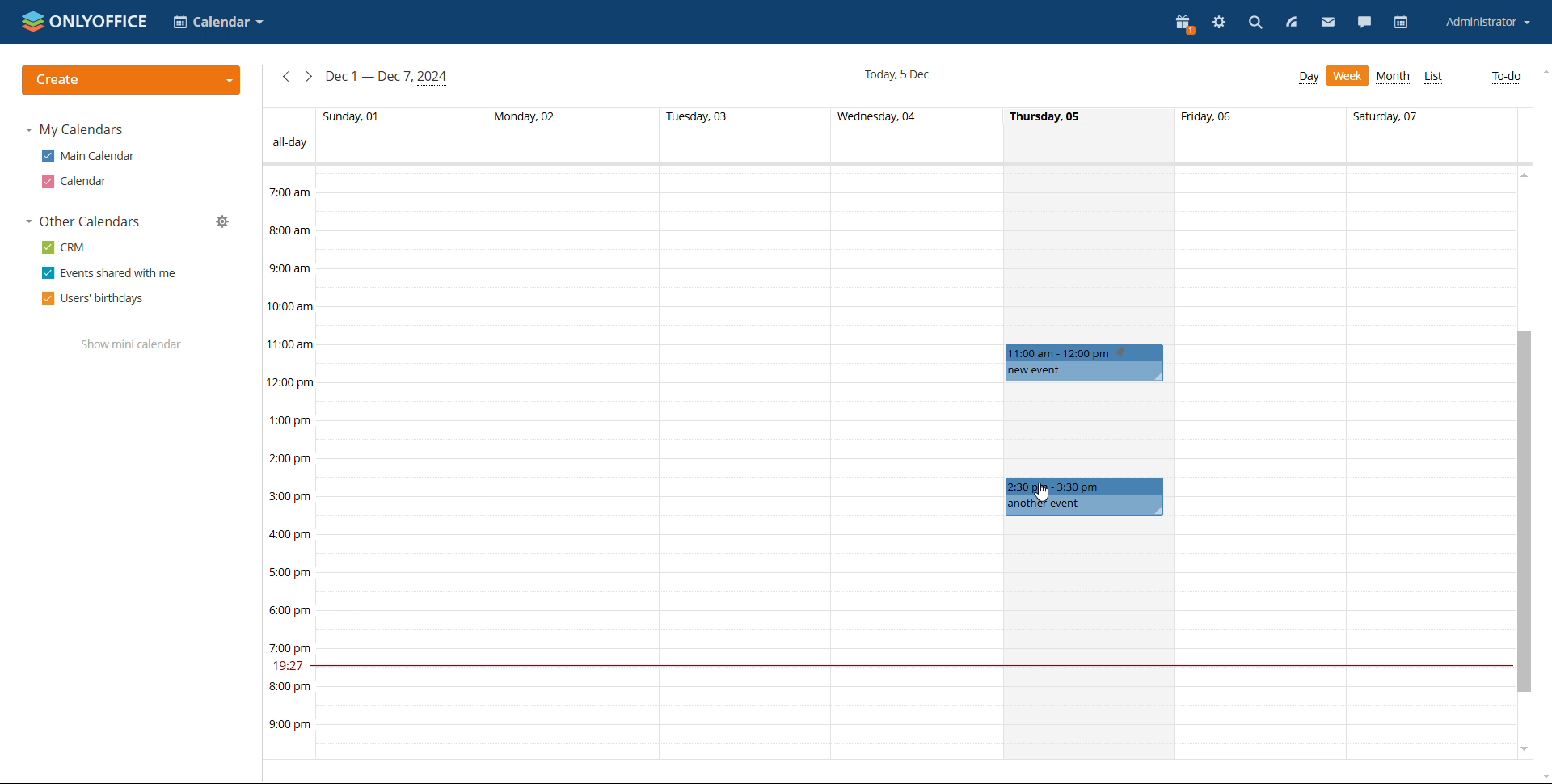 This screenshot has height=784, width=1552. Describe the element at coordinates (285, 665) in the screenshot. I see `19:27` at that location.